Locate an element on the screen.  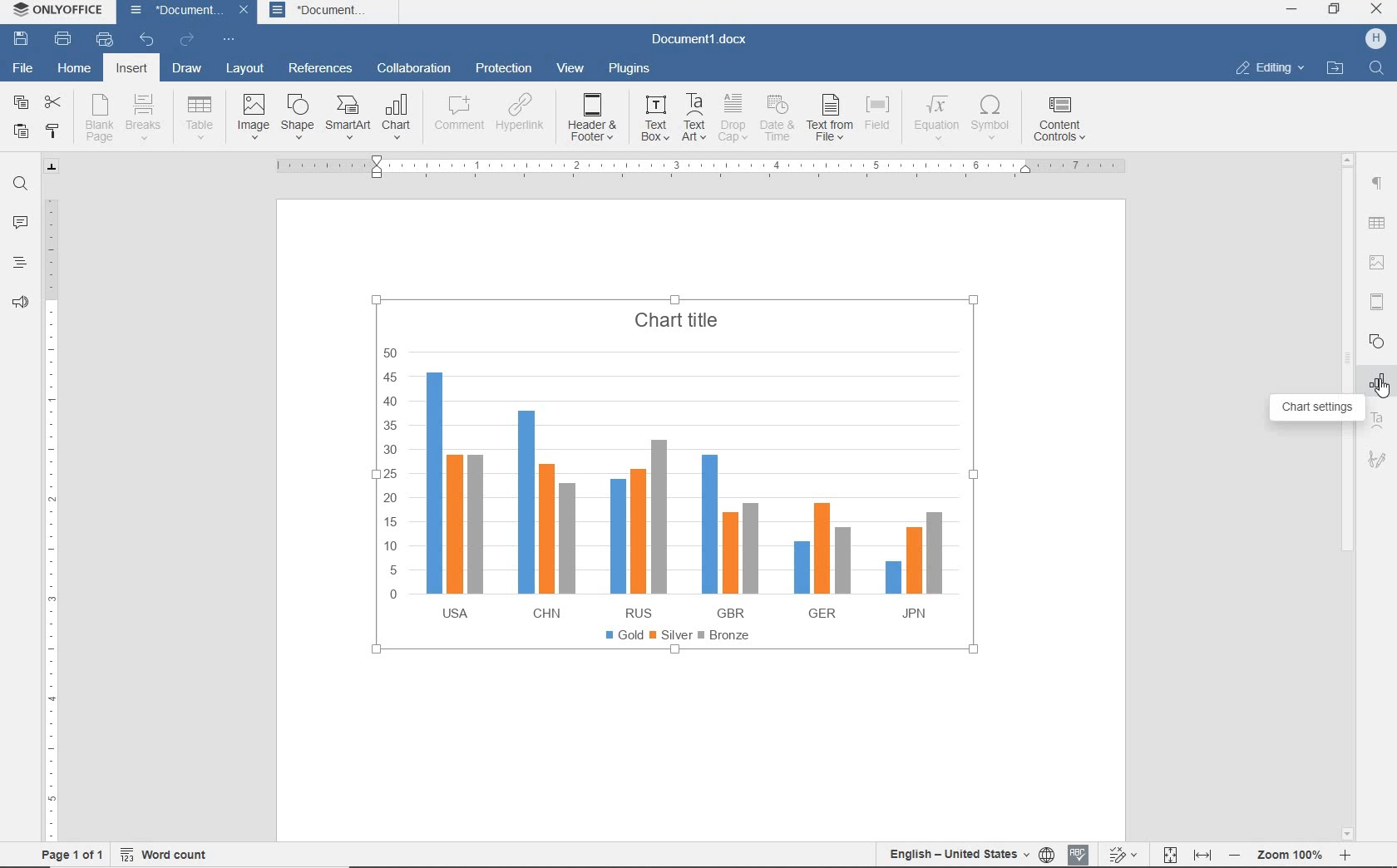
shape is located at coordinates (299, 116).